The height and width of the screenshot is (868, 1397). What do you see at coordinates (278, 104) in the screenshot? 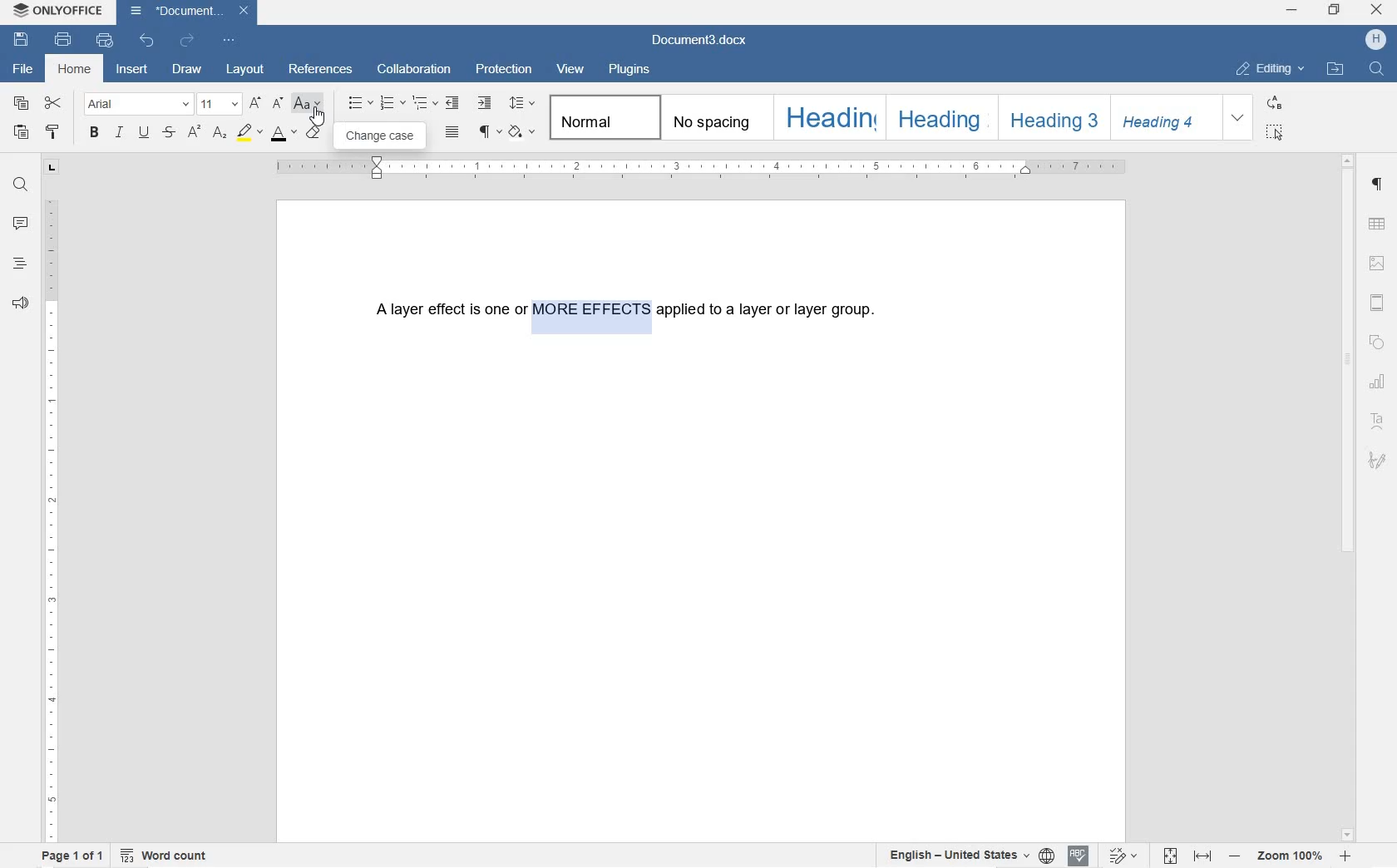
I see `INCREMENT FONT SIZE` at bounding box center [278, 104].